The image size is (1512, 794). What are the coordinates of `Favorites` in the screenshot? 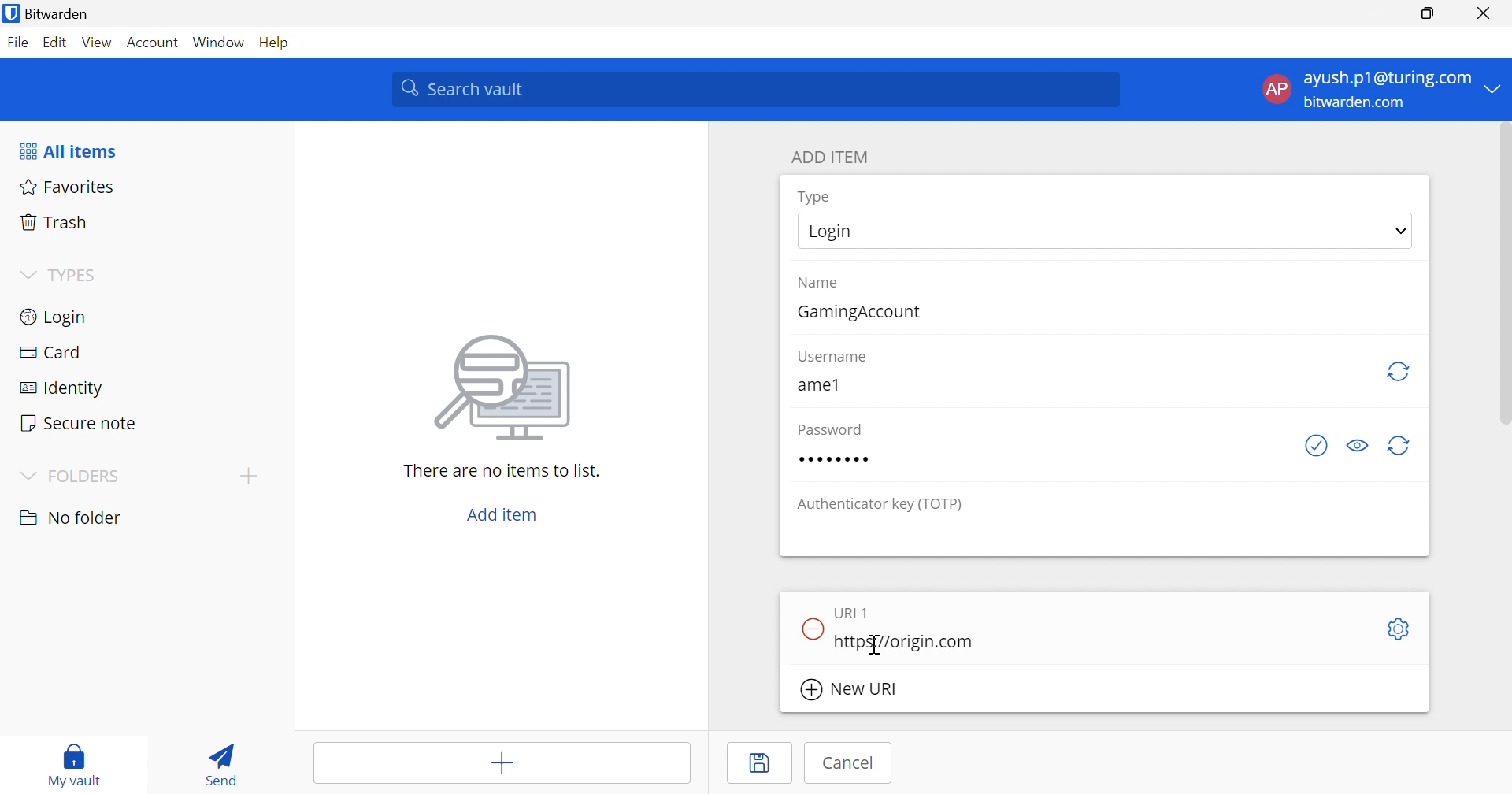 It's located at (68, 188).